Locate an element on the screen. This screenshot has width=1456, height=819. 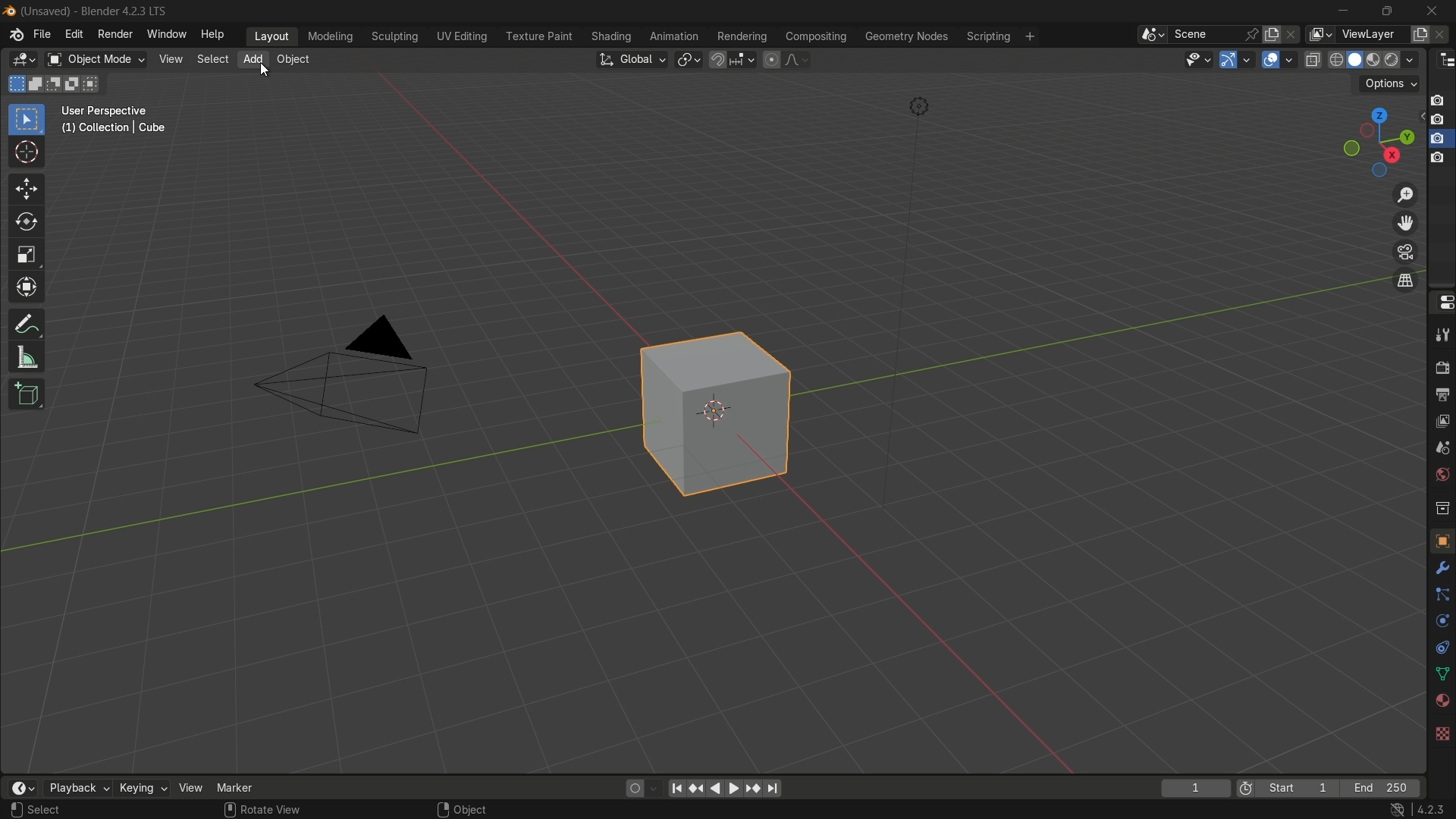
cursor is located at coordinates (27, 153).